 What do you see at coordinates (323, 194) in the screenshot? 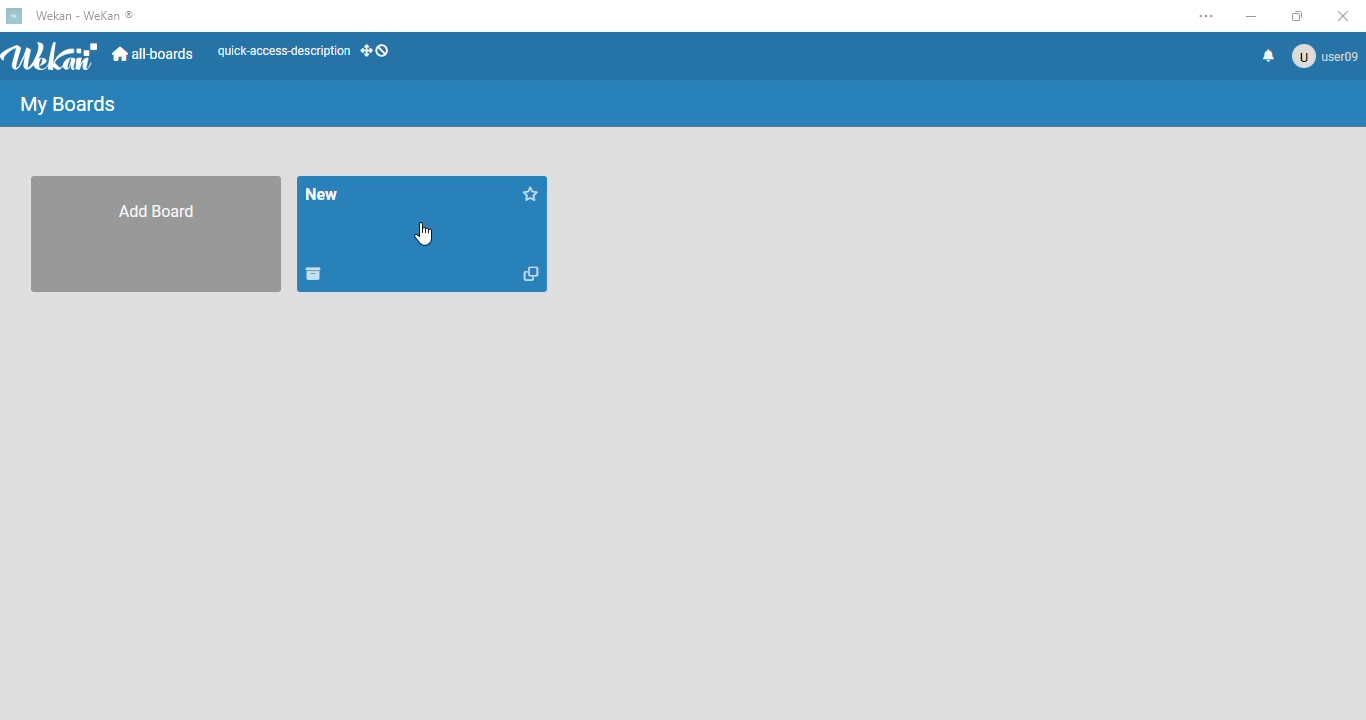
I see `New` at bounding box center [323, 194].